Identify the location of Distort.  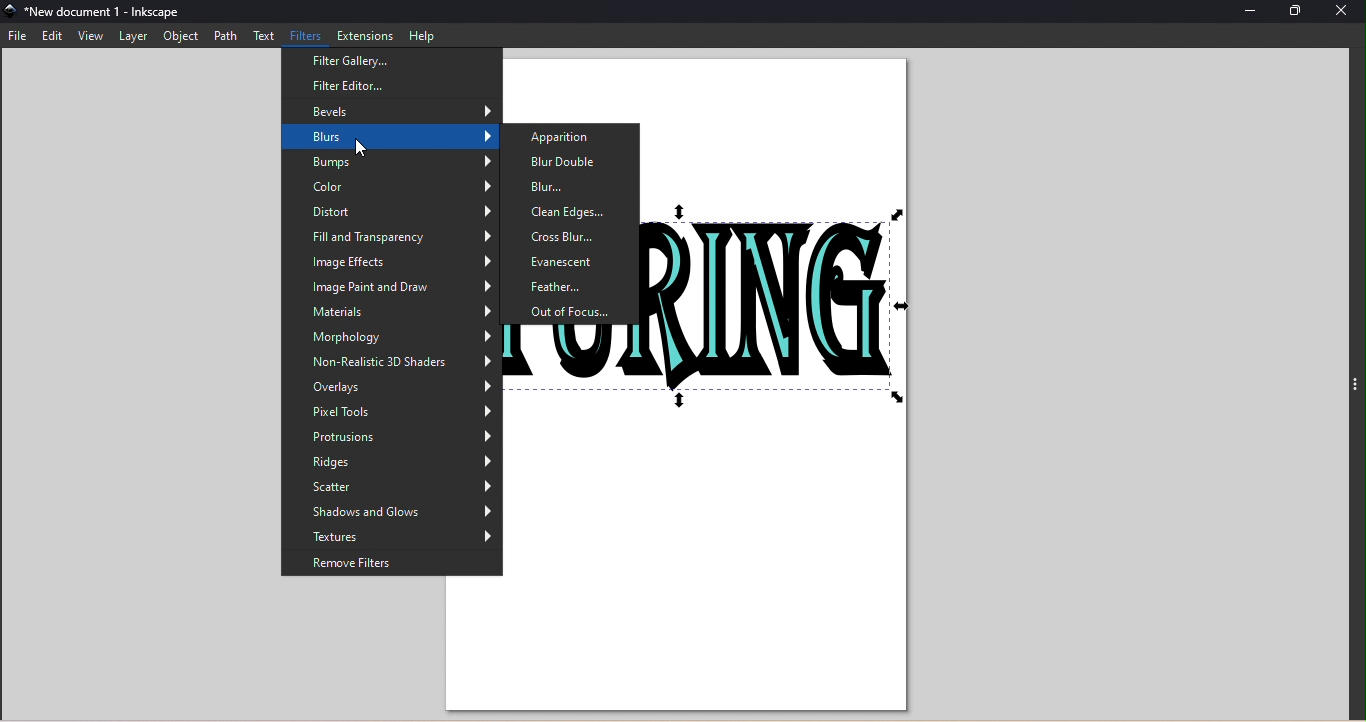
(395, 208).